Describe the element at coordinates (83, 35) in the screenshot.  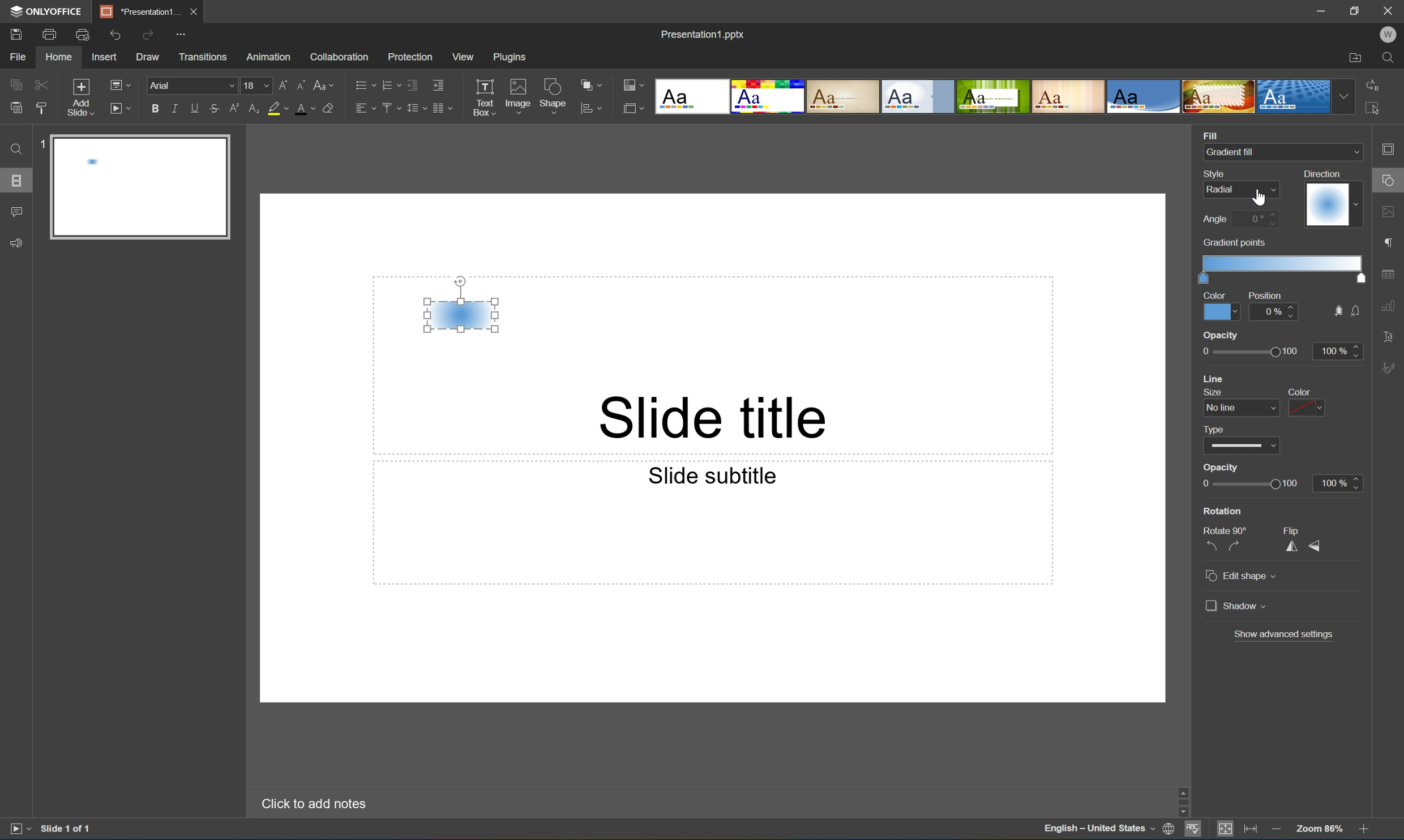
I see `Print preview` at that location.